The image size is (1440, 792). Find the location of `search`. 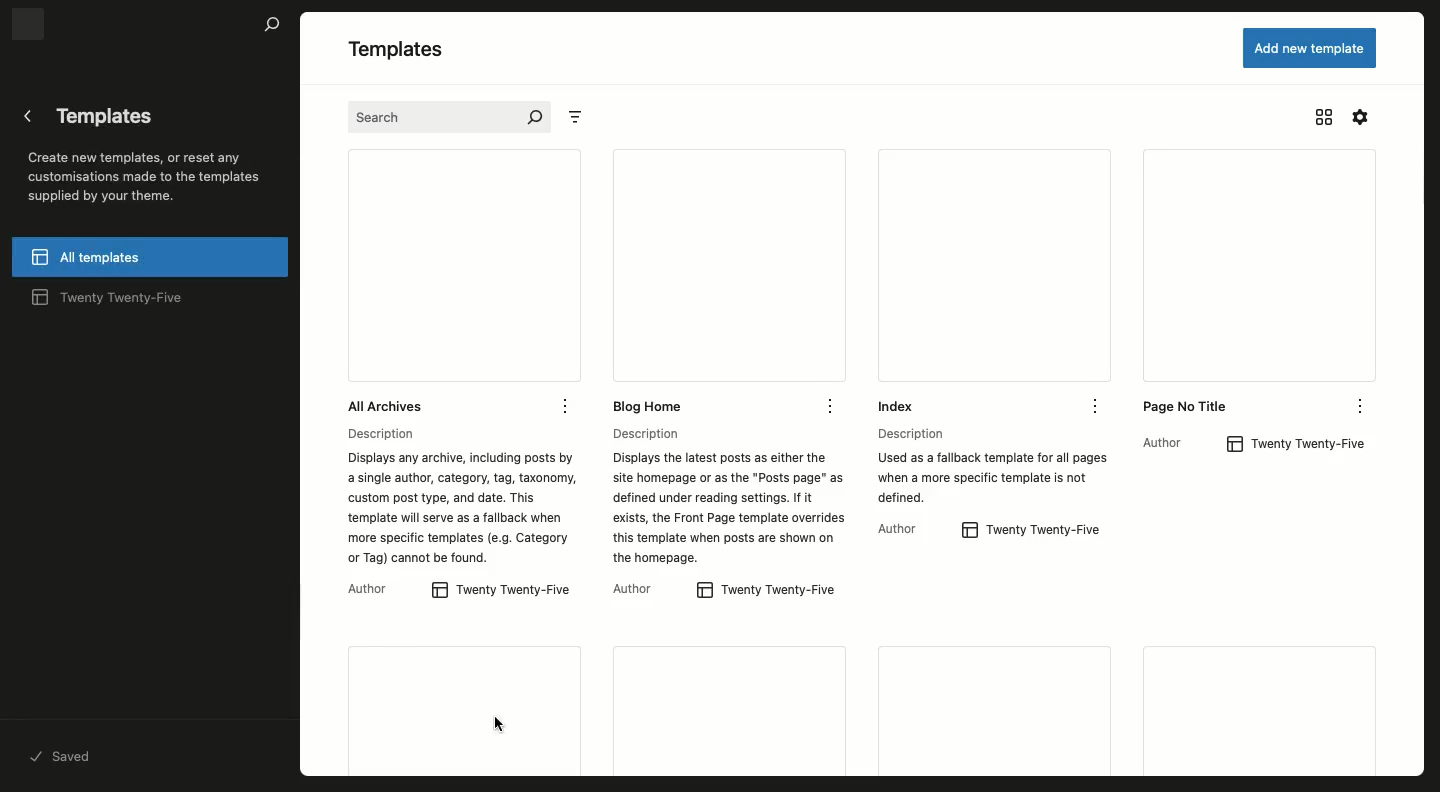

search is located at coordinates (274, 27).